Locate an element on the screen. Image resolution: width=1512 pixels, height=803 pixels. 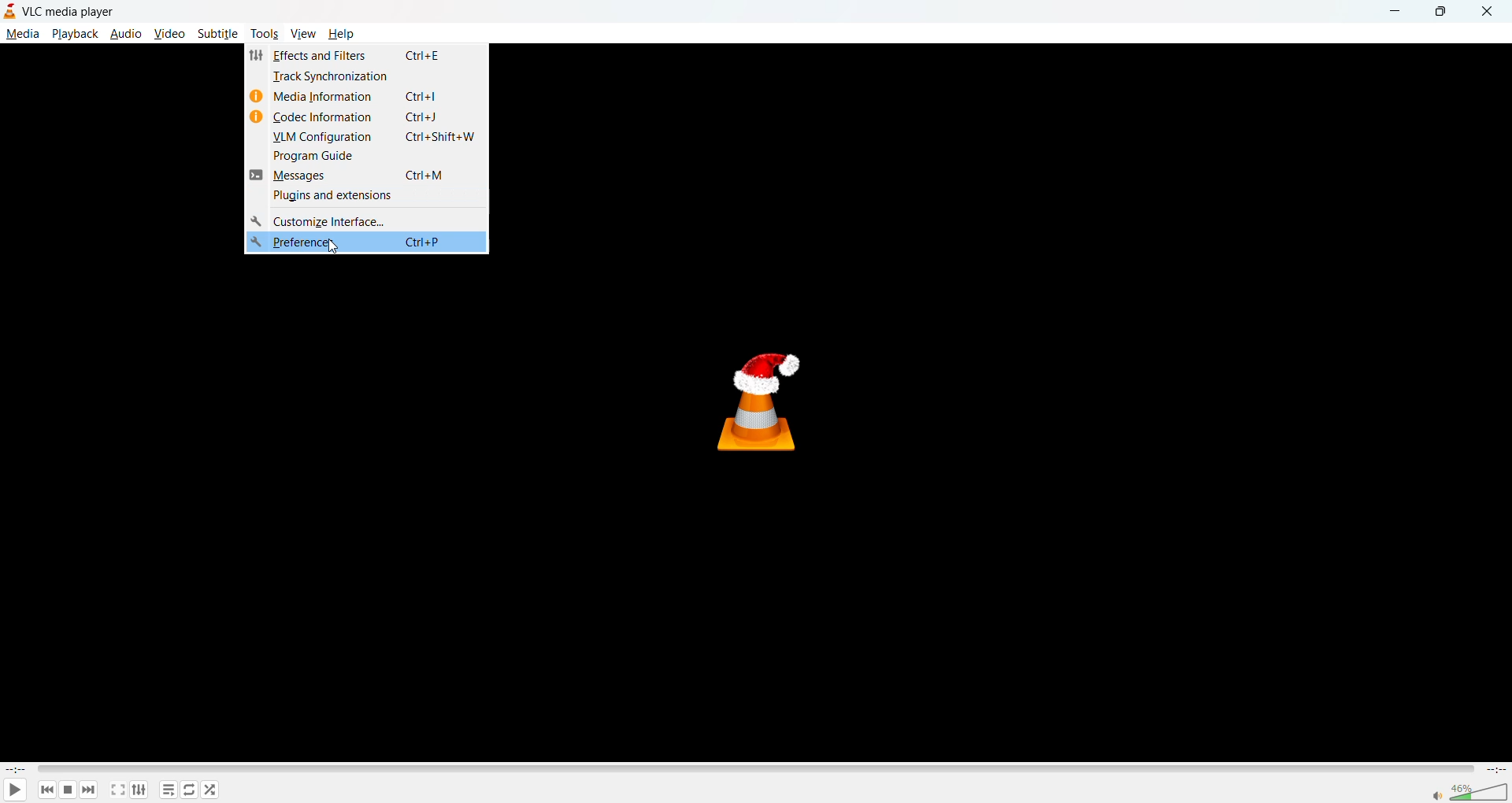
playback is located at coordinates (75, 34).